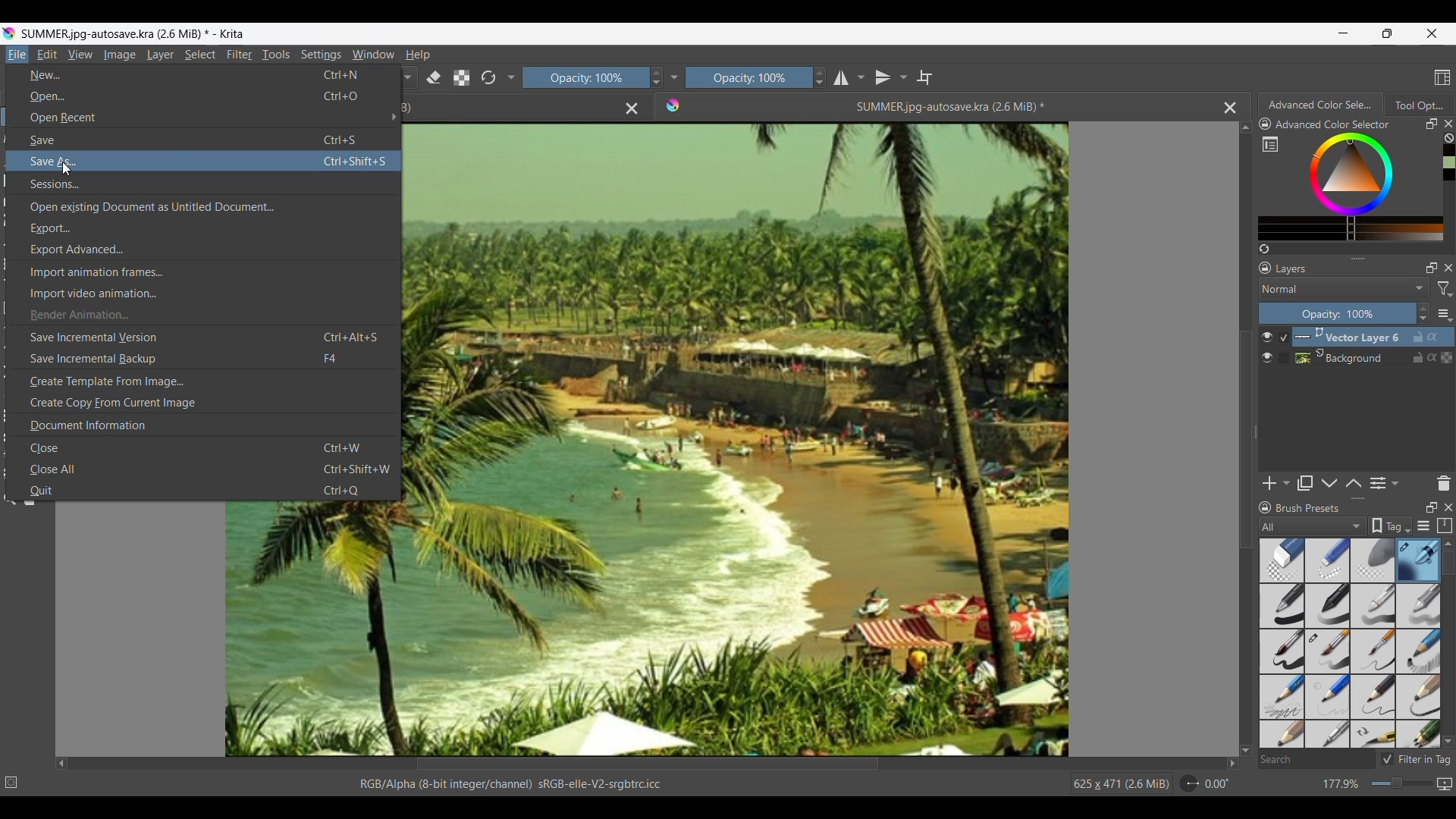  What do you see at coordinates (205, 184) in the screenshot?
I see `Sessions` at bounding box center [205, 184].